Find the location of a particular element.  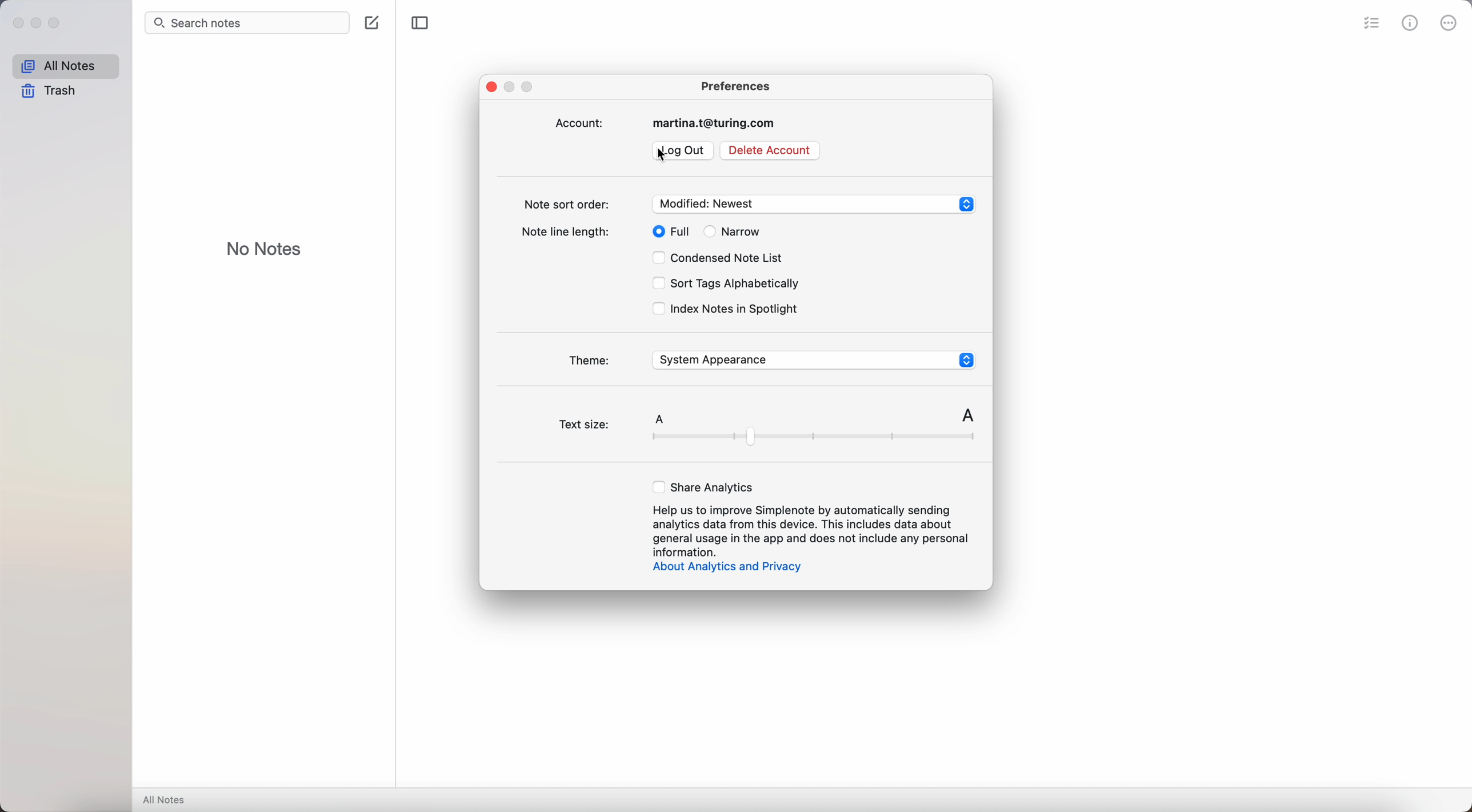

checkbox is located at coordinates (646, 232).